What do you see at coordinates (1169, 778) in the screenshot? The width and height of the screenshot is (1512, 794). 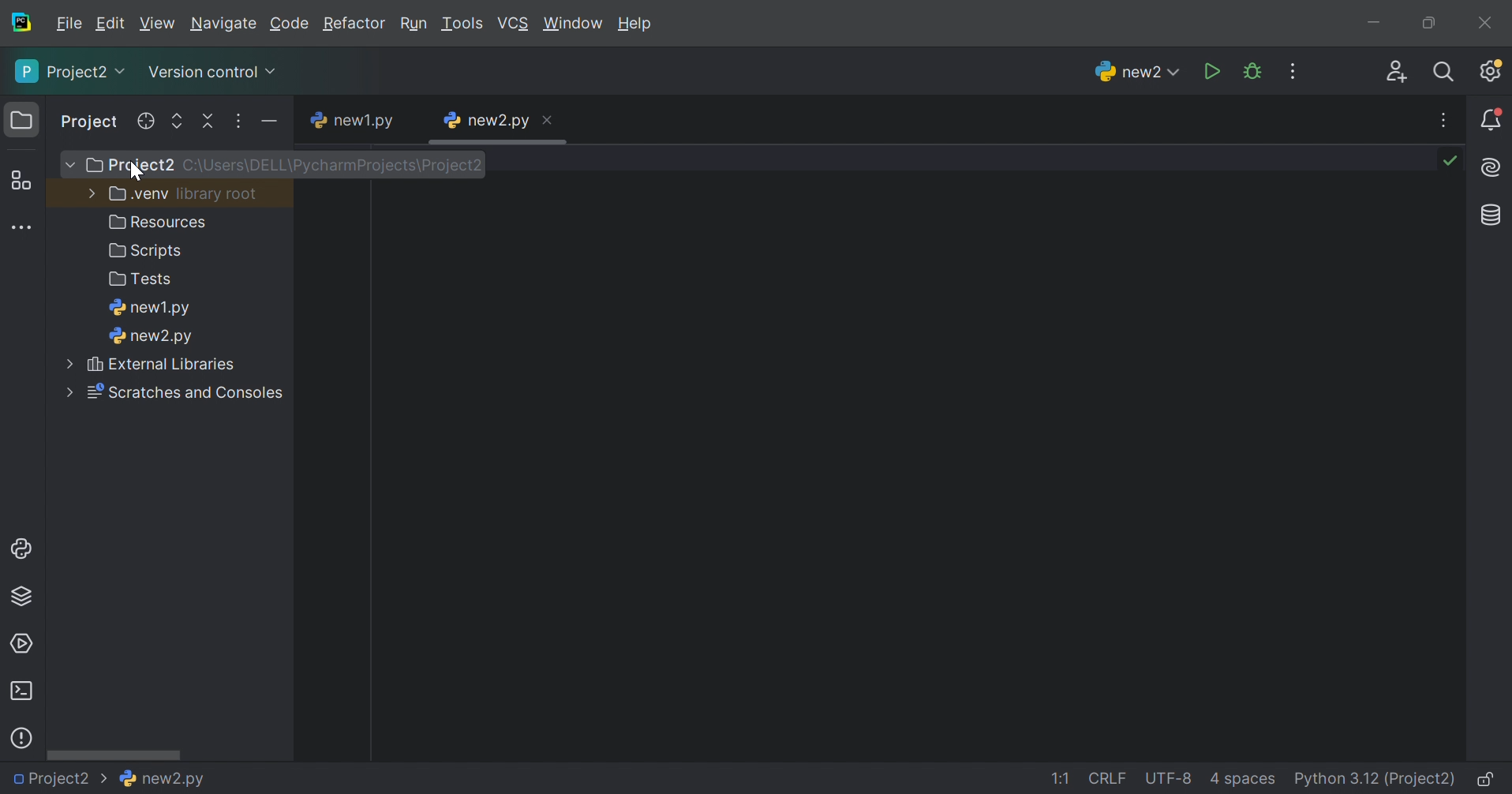 I see `UTF-8` at bounding box center [1169, 778].